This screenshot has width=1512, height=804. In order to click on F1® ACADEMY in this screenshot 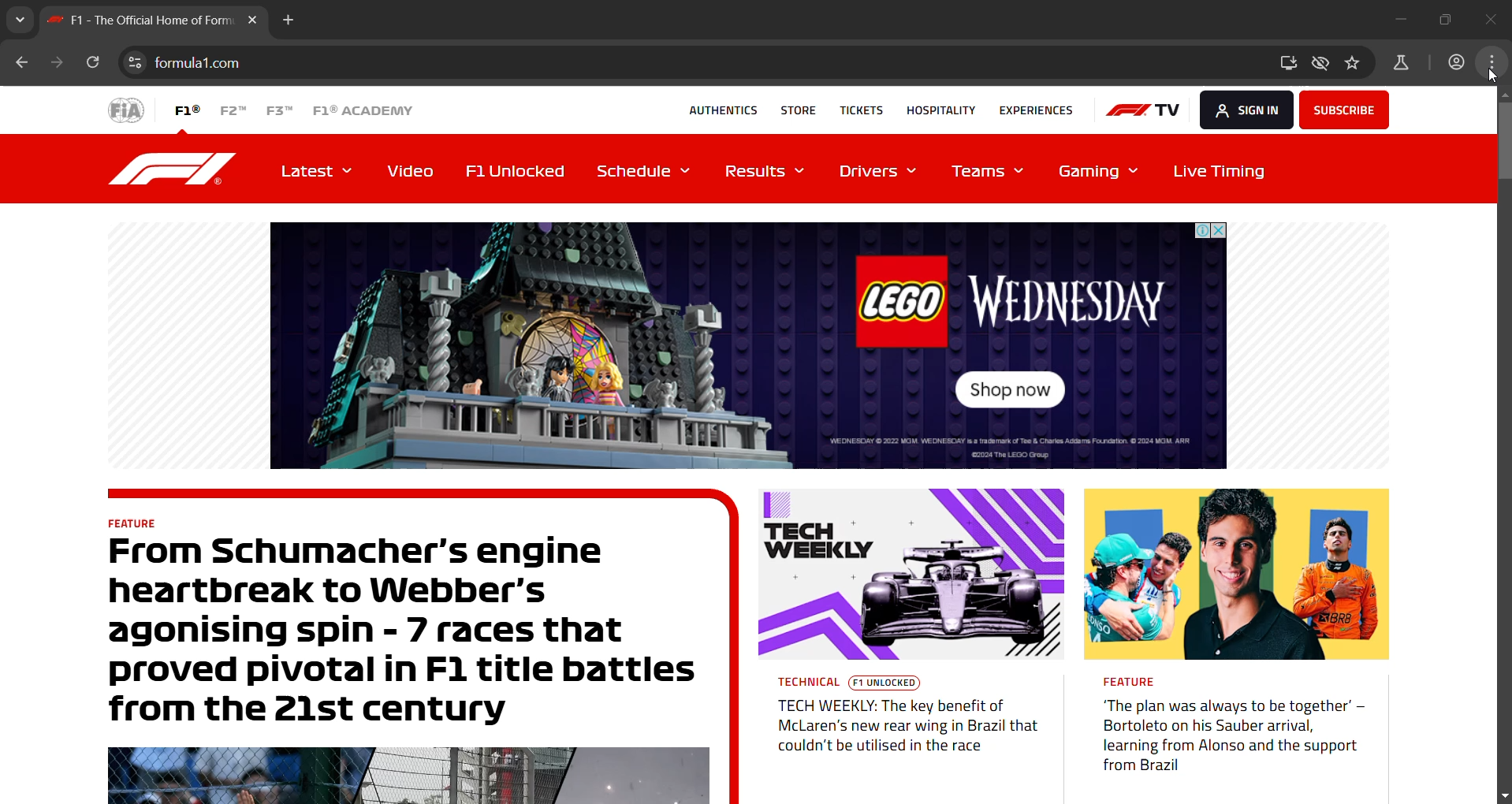, I will do `click(363, 110)`.